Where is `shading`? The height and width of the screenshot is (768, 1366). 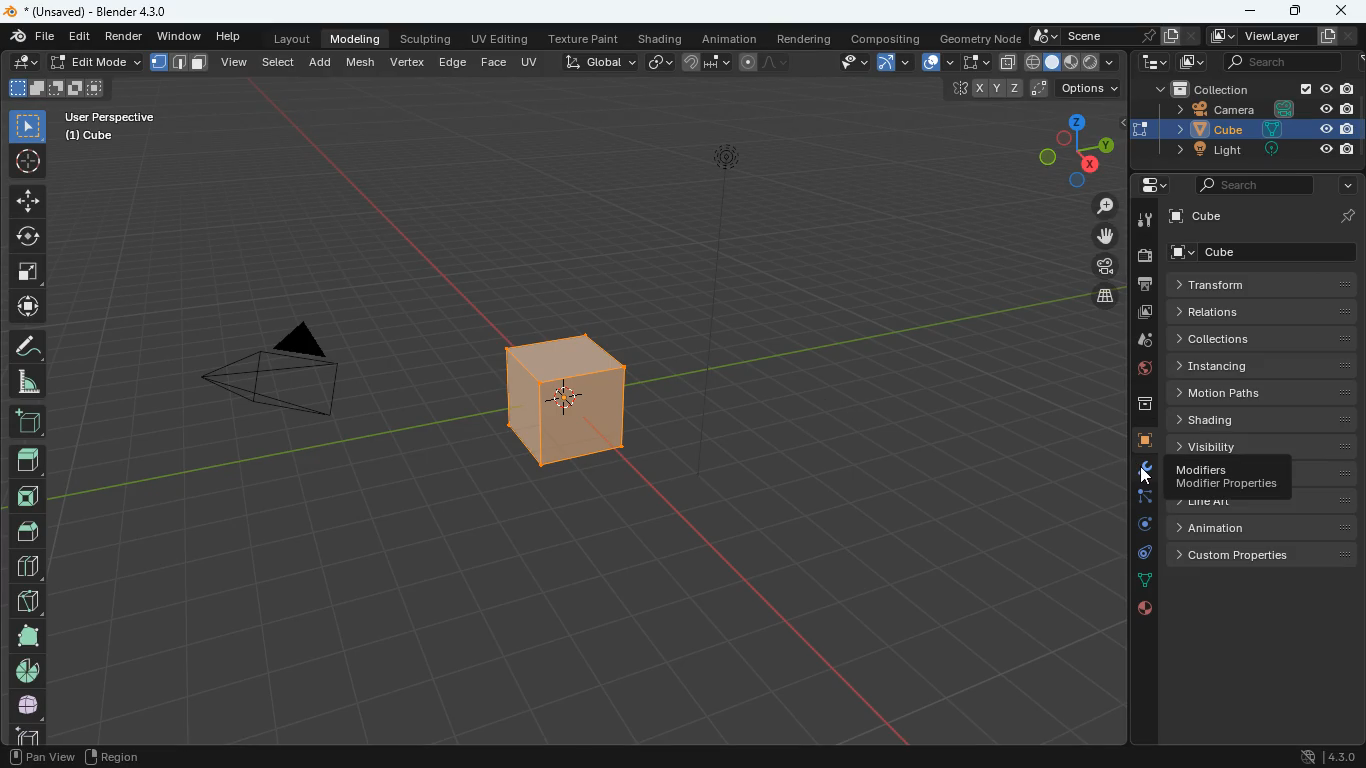 shading is located at coordinates (1264, 421).